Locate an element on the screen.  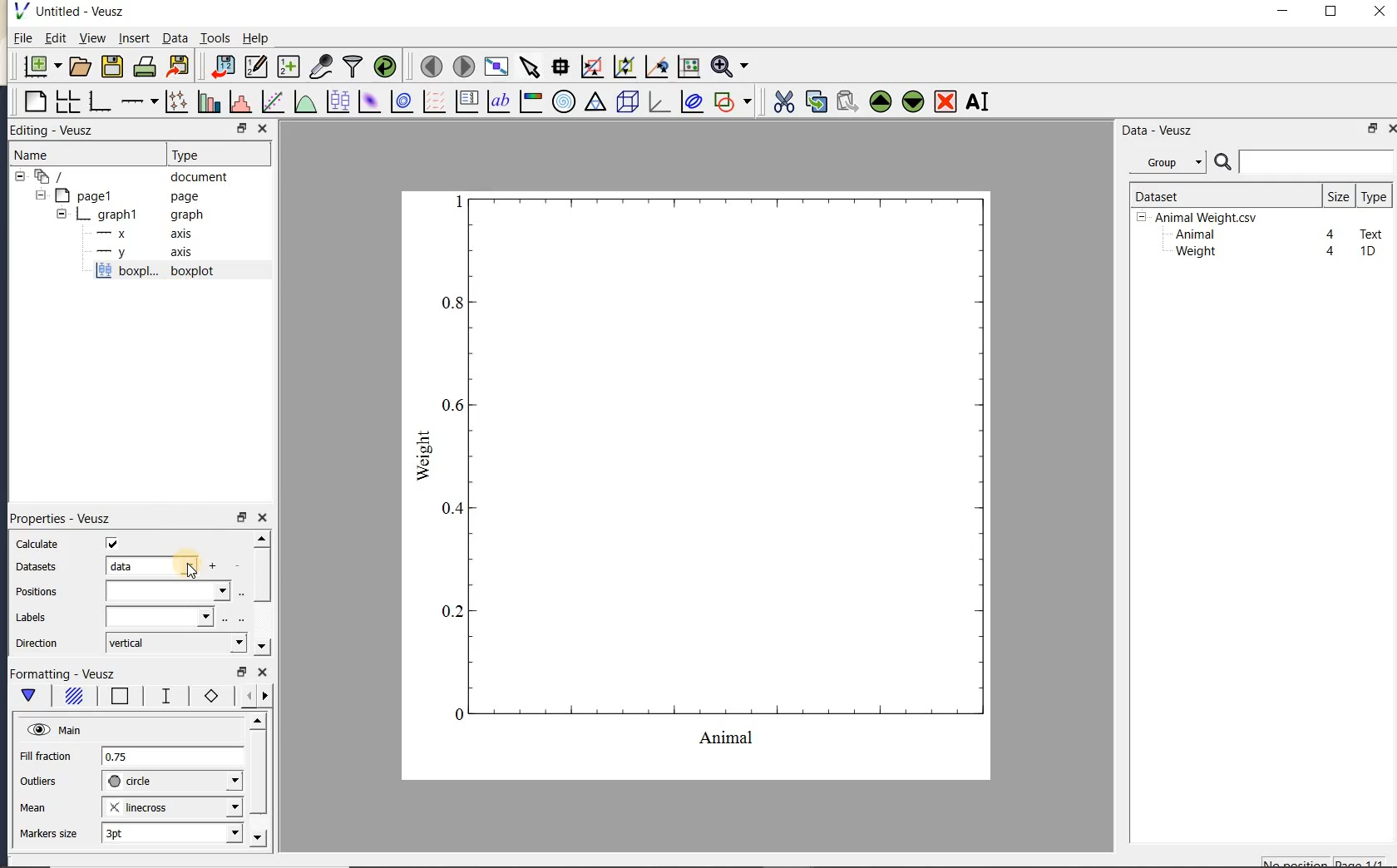
direction is located at coordinates (39, 643).